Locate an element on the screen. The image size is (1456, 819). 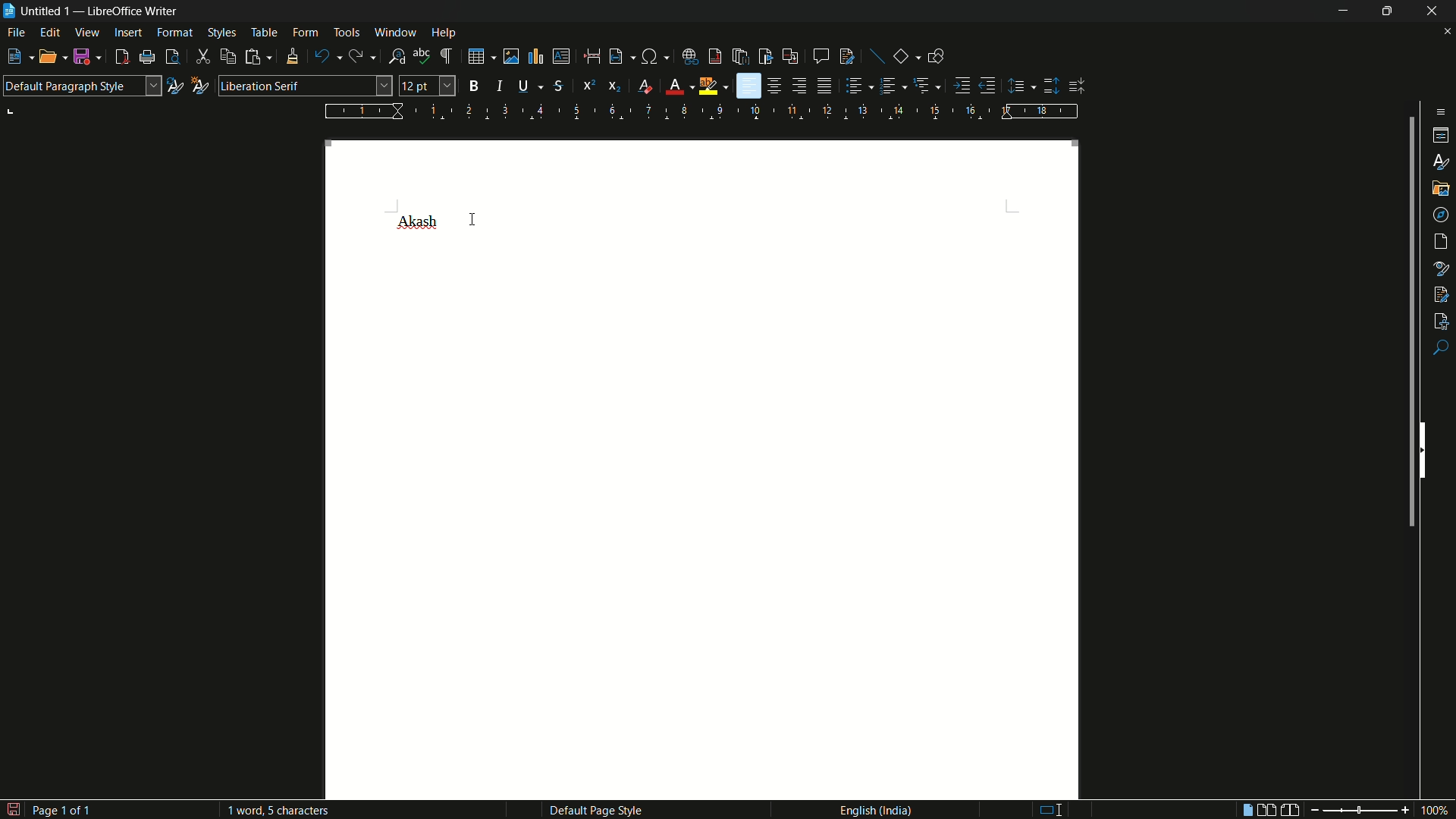
manage changes is located at coordinates (1441, 293).